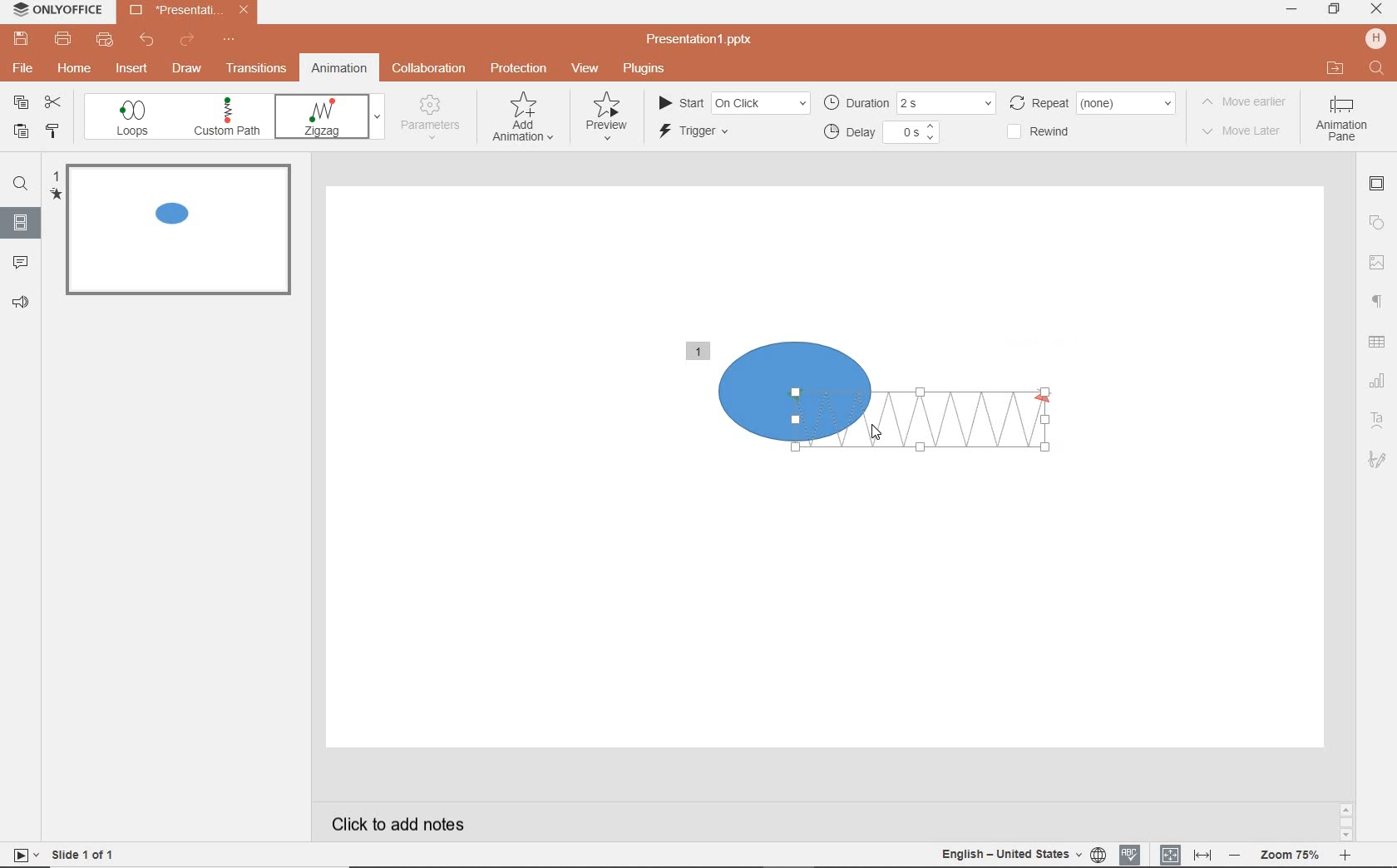 Image resolution: width=1397 pixels, height=868 pixels. Describe the element at coordinates (22, 102) in the screenshot. I see `copy` at that location.